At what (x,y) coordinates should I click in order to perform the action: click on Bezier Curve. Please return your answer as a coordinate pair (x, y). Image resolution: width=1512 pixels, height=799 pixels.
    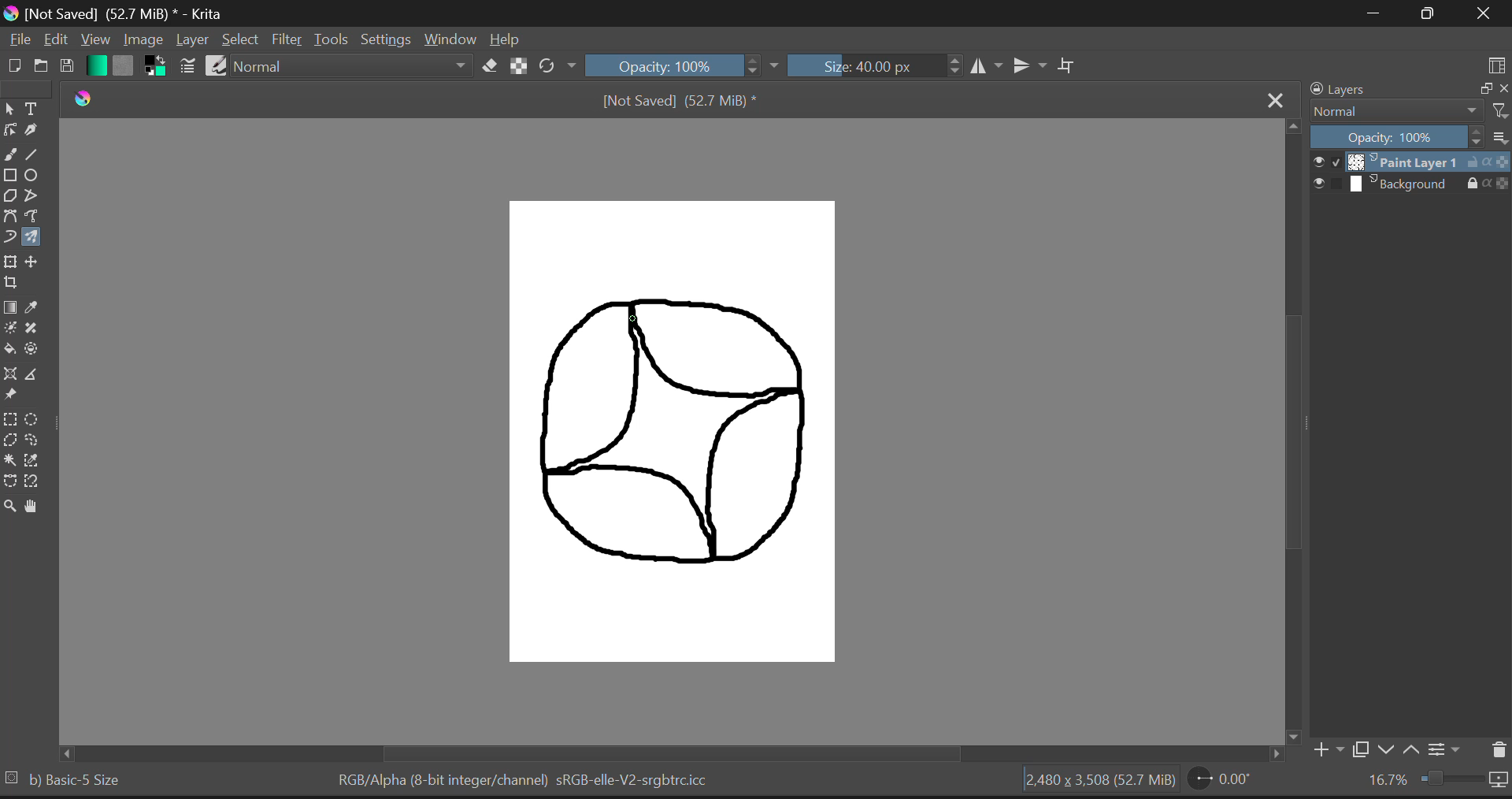
    Looking at the image, I should click on (10, 216).